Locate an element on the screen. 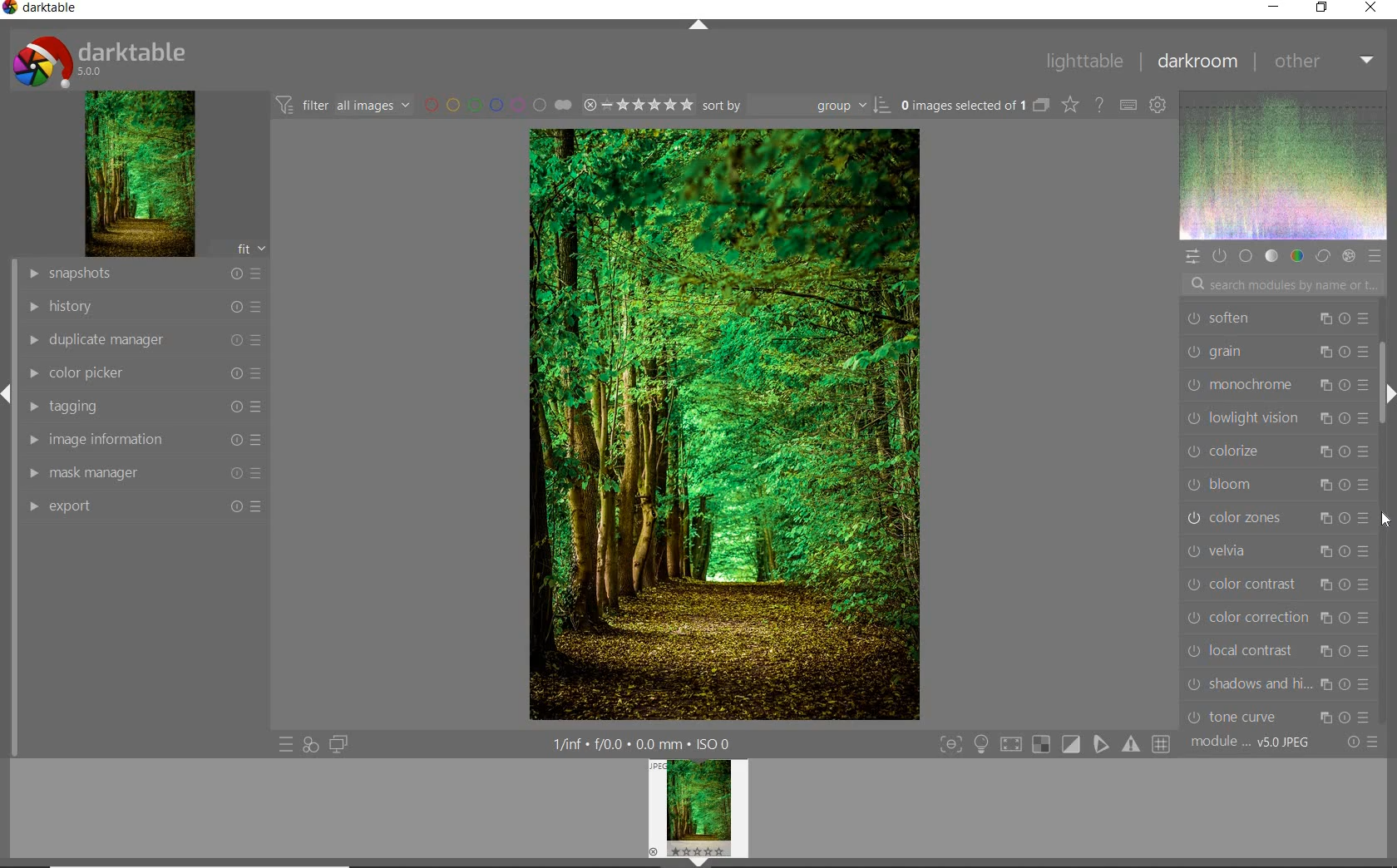 This screenshot has height=868, width=1397. SYSTEM LOGO & NAME is located at coordinates (101, 59).